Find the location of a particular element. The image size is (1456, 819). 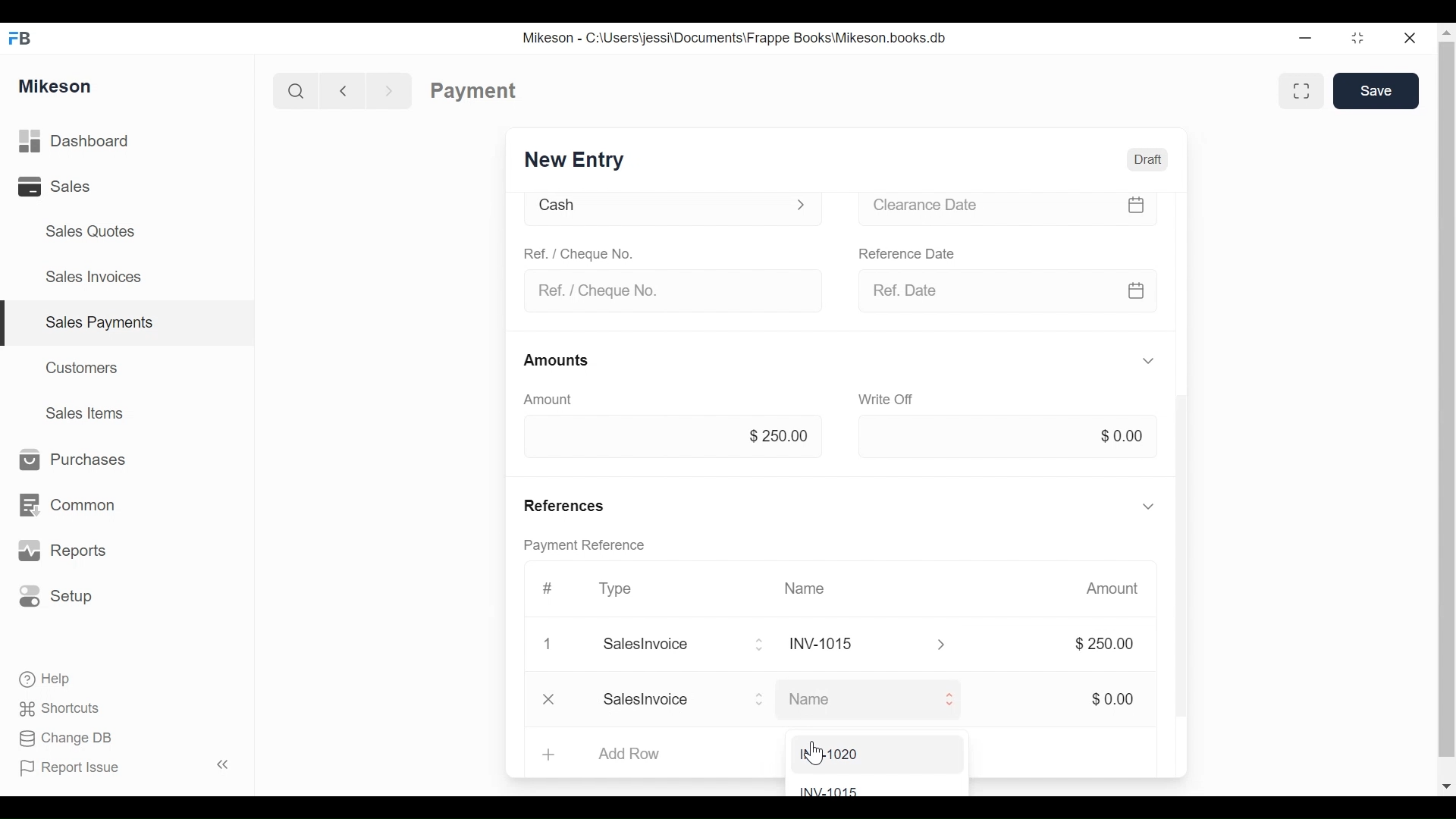

Reports is located at coordinates (65, 551).